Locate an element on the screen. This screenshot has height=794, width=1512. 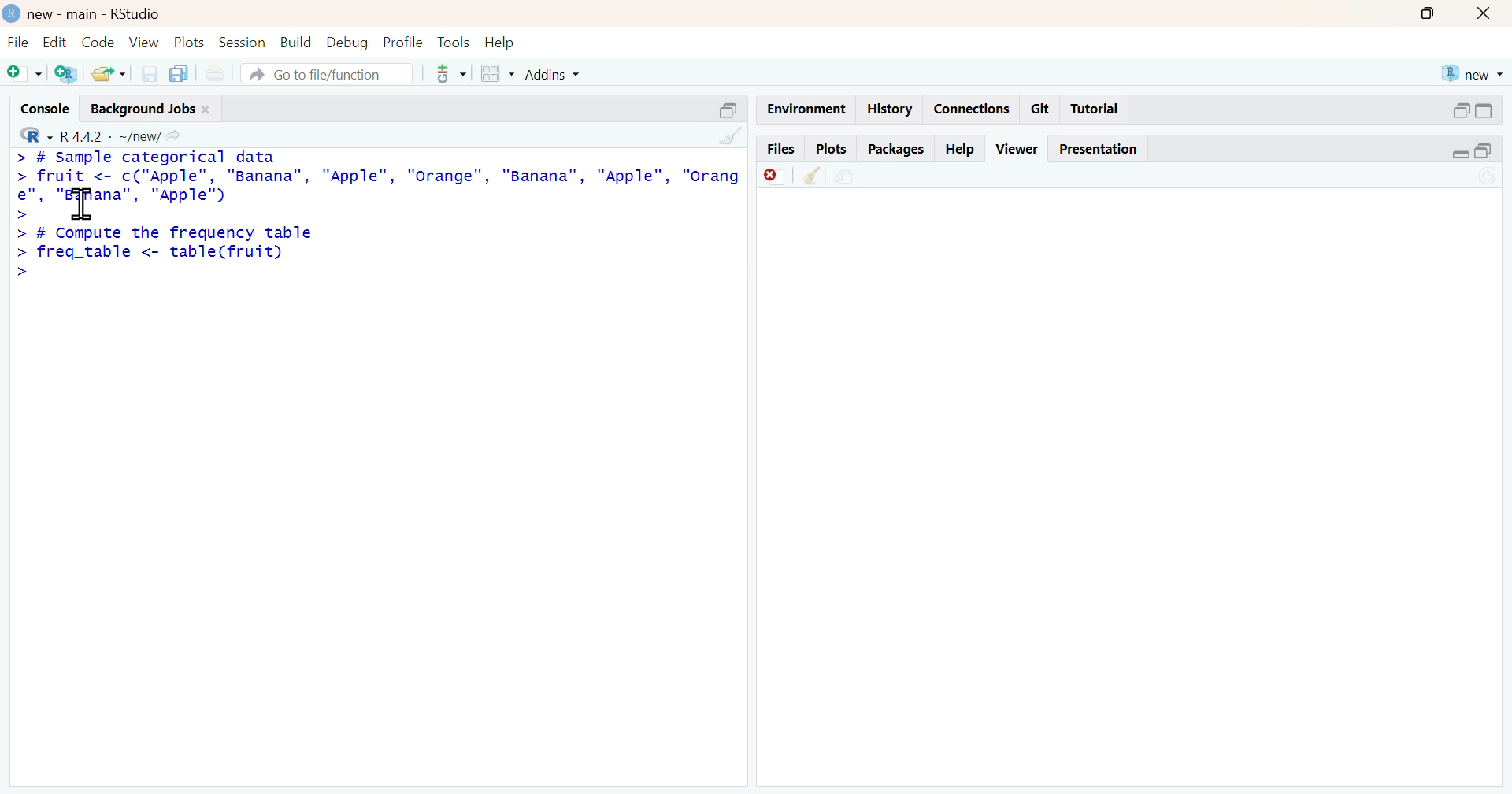
new is located at coordinates (1469, 74).